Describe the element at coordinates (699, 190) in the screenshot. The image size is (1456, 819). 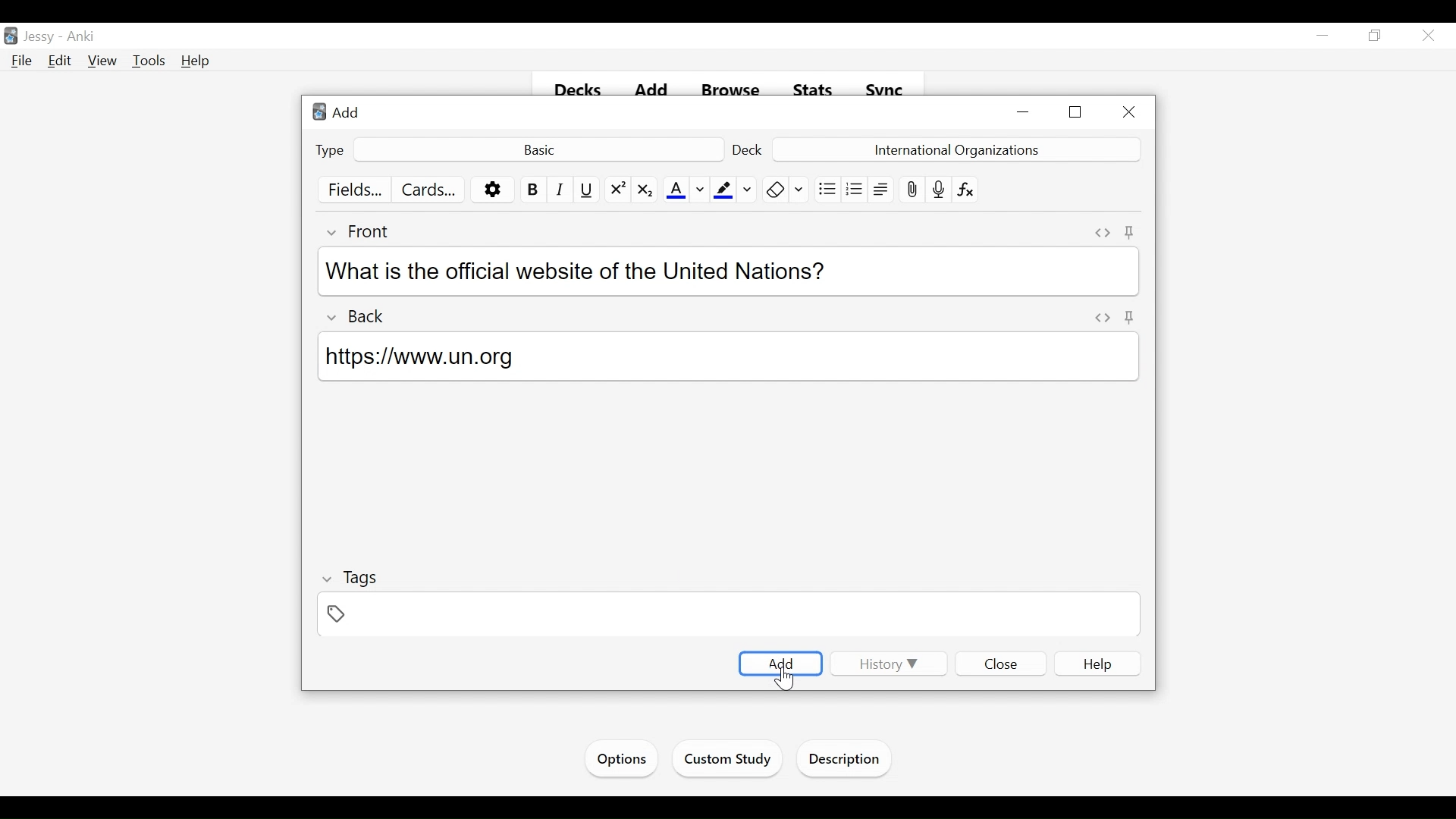
I see `Change color` at that location.